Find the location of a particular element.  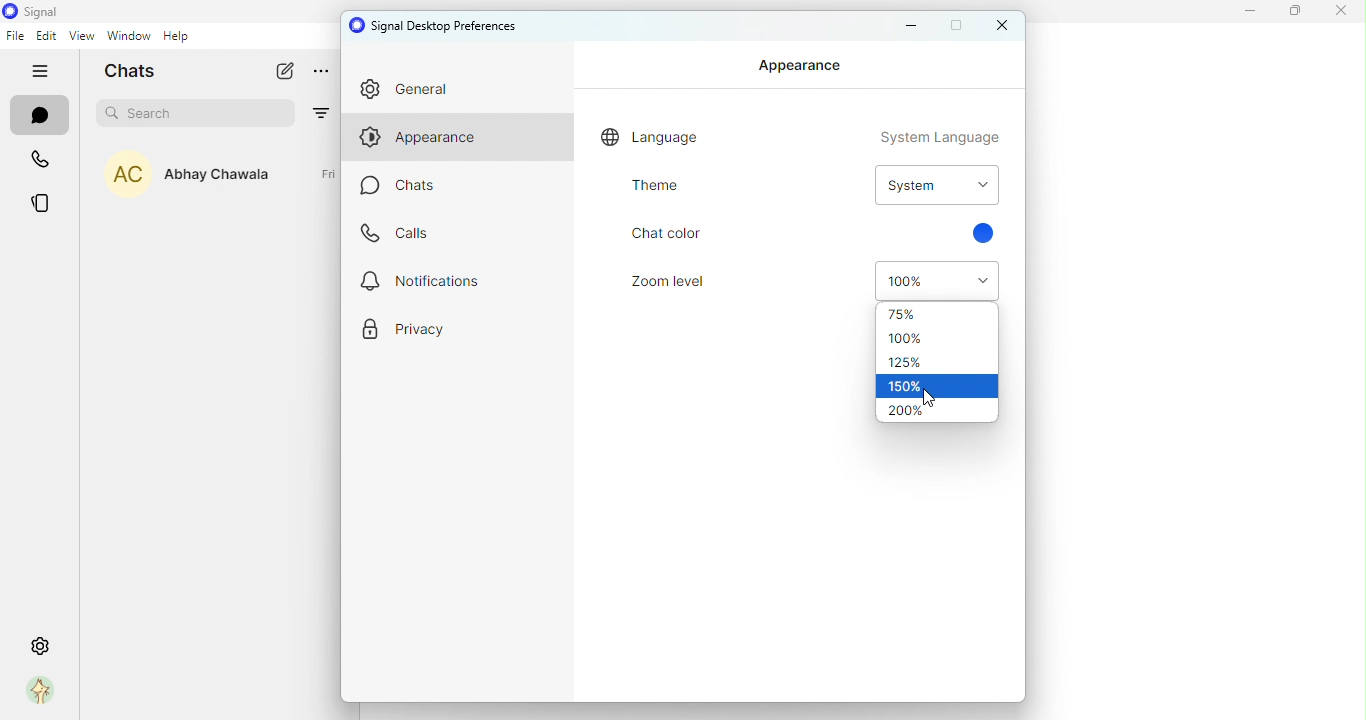

stories is located at coordinates (41, 202).